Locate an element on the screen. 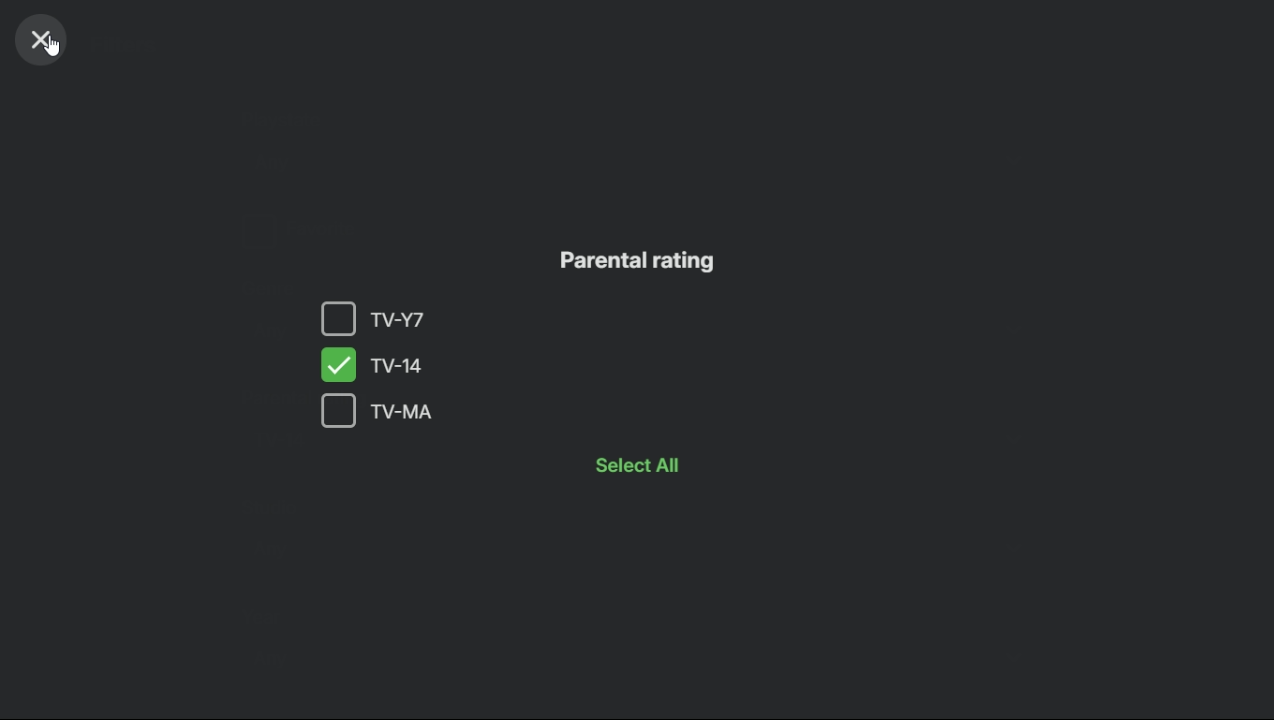 The height and width of the screenshot is (720, 1274). checkbox: TV-MA is located at coordinates (477, 411).